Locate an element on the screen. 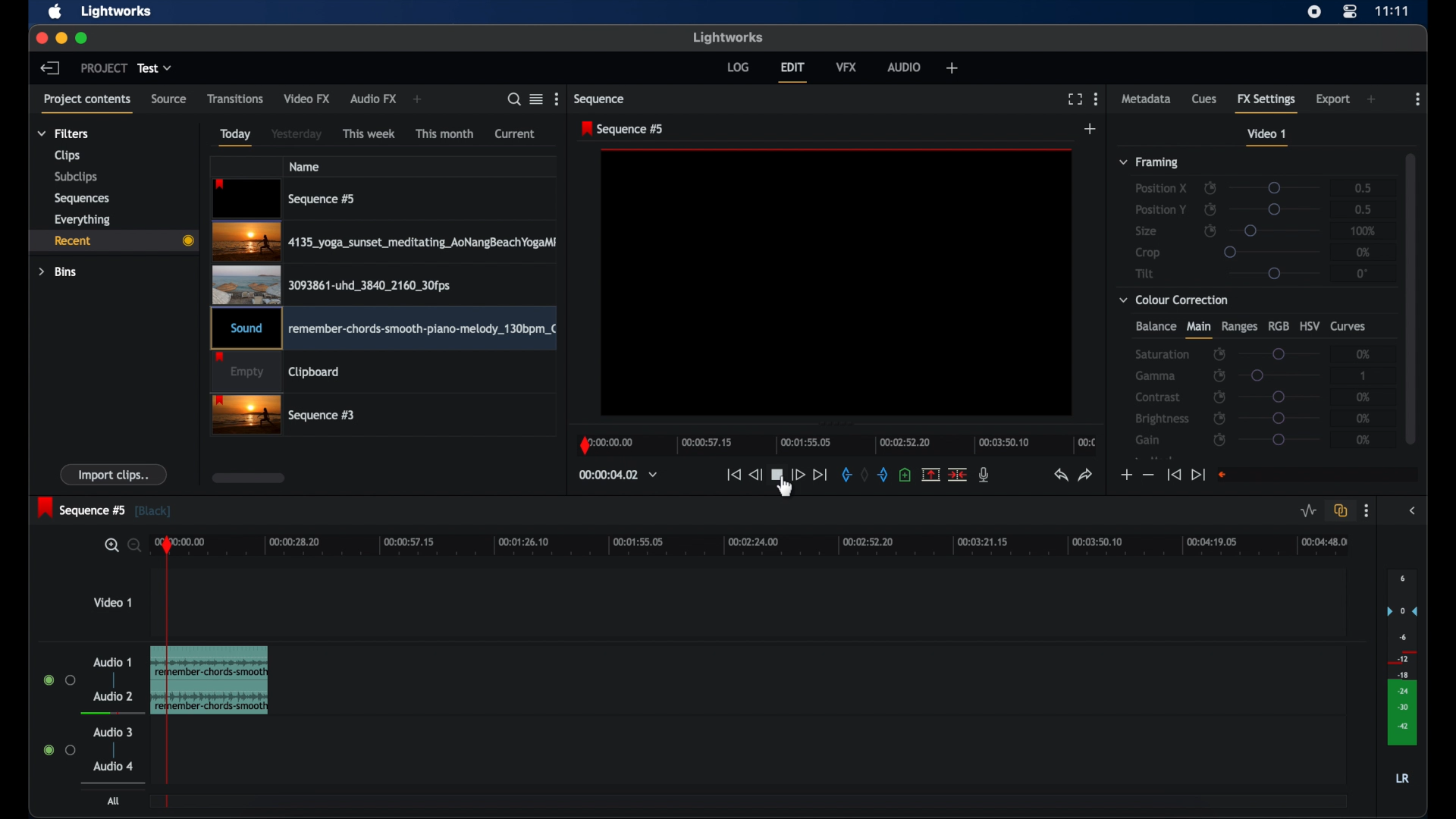 This screenshot has width=1456, height=819. maximize is located at coordinates (82, 39).